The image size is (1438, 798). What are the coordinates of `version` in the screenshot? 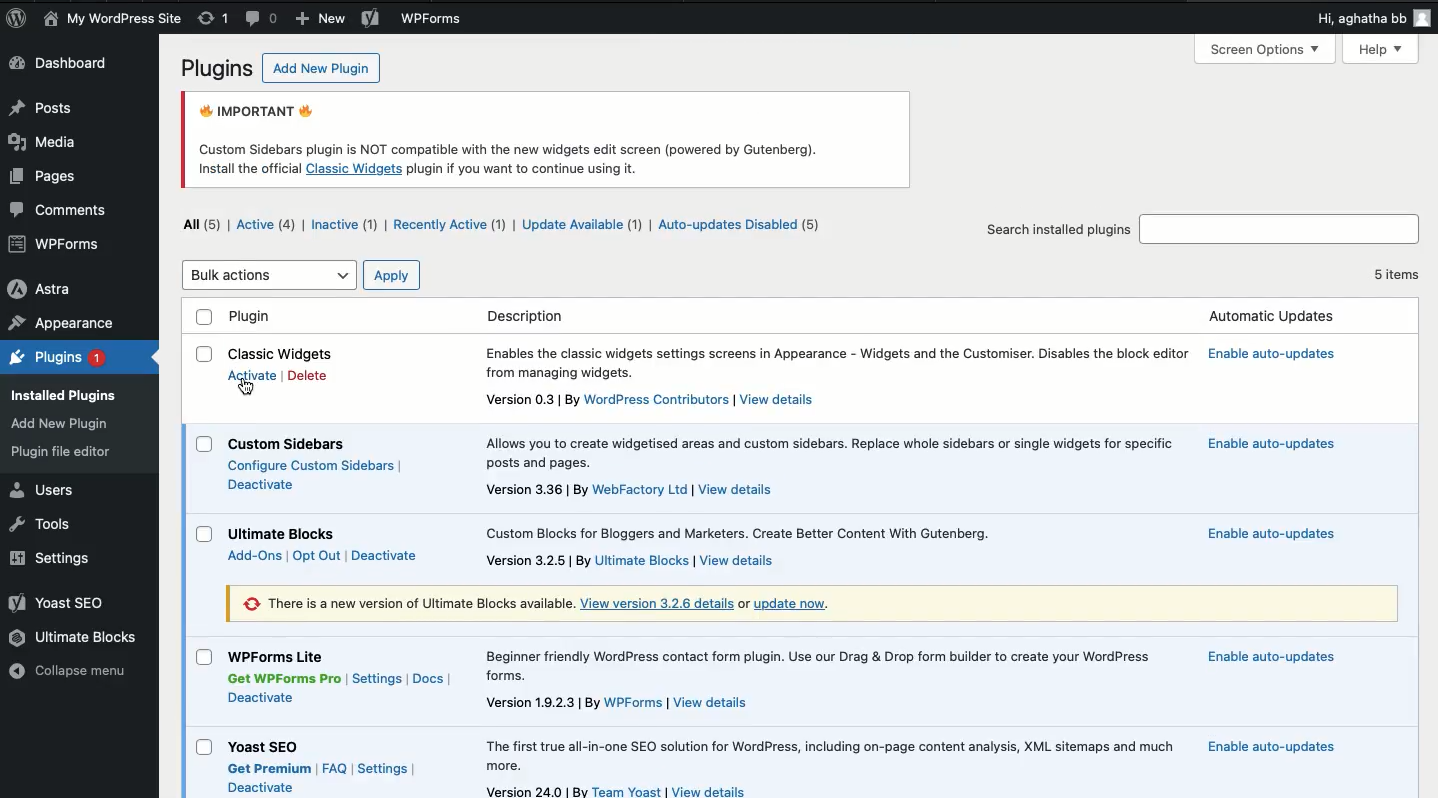 It's located at (522, 400).